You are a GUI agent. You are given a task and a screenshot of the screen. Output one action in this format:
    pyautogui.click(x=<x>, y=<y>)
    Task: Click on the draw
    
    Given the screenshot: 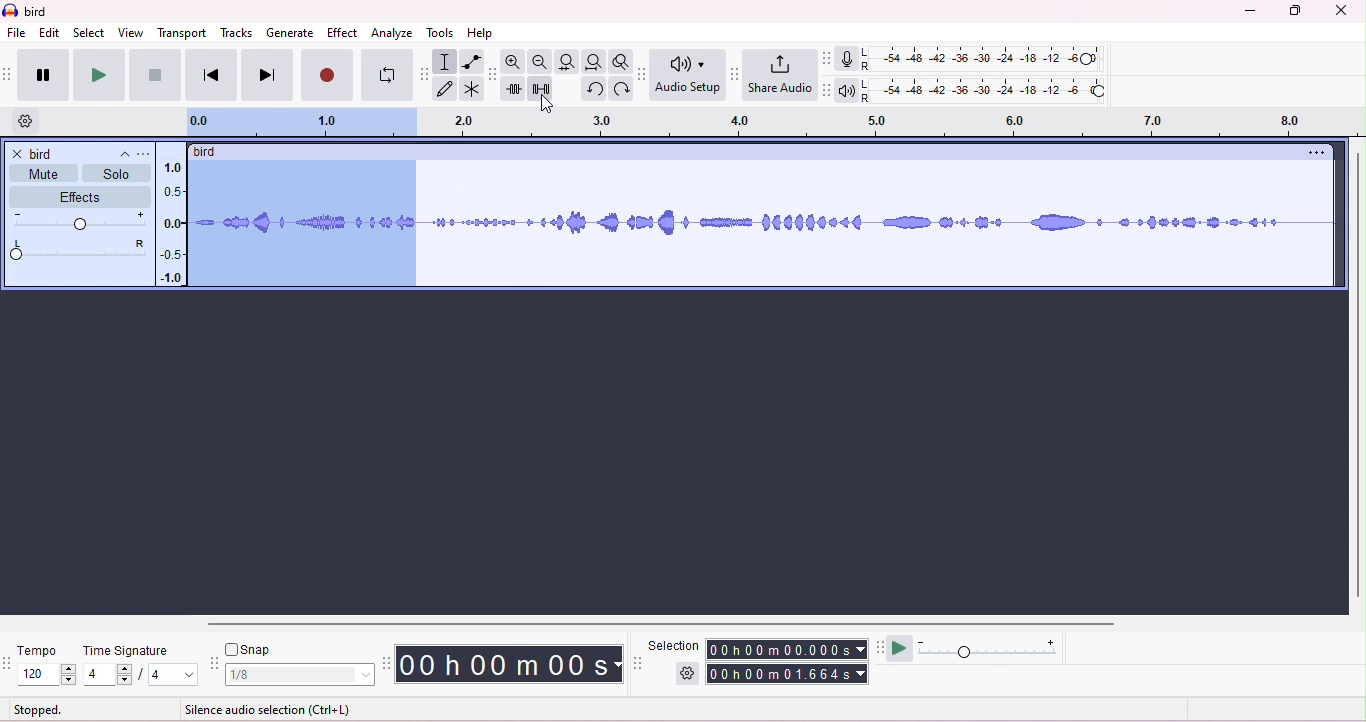 What is the action you would take?
    pyautogui.click(x=446, y=89)
    